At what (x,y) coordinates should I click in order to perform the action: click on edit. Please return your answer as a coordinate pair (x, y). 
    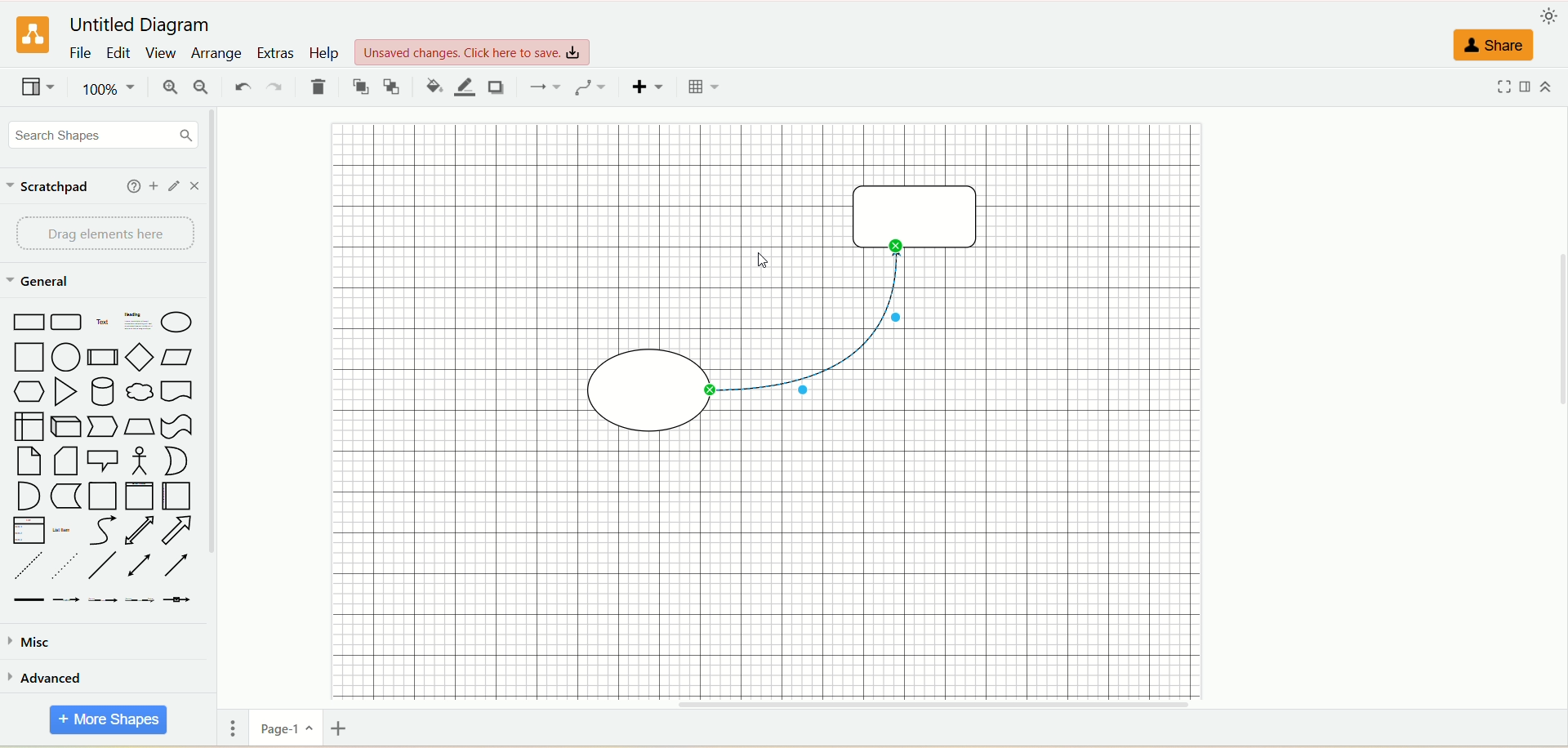
    Looking at the image, I should click on (117, 55).